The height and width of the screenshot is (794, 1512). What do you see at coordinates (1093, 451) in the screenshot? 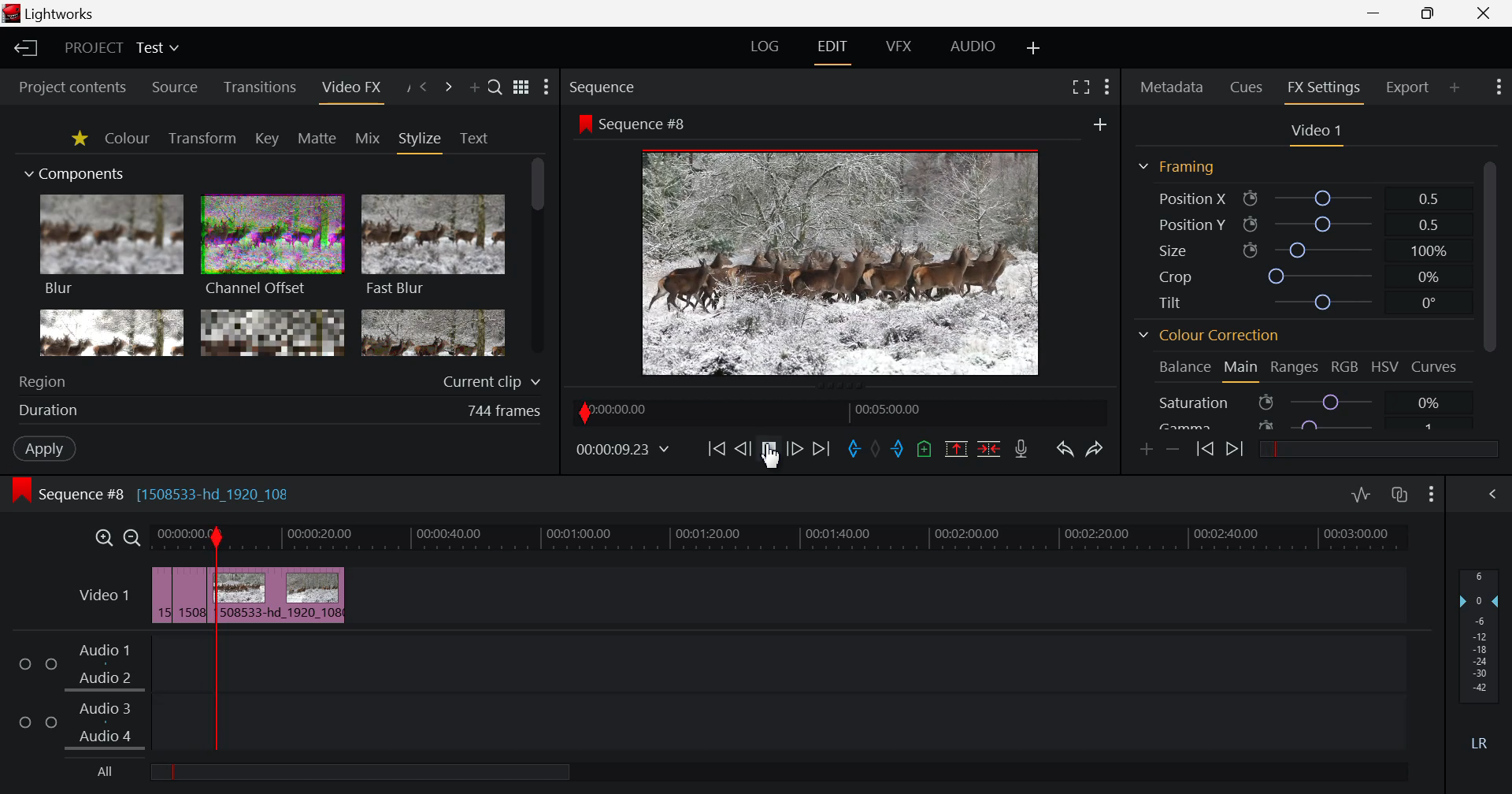
I see `Redo` at bounding box center [1093, 451].